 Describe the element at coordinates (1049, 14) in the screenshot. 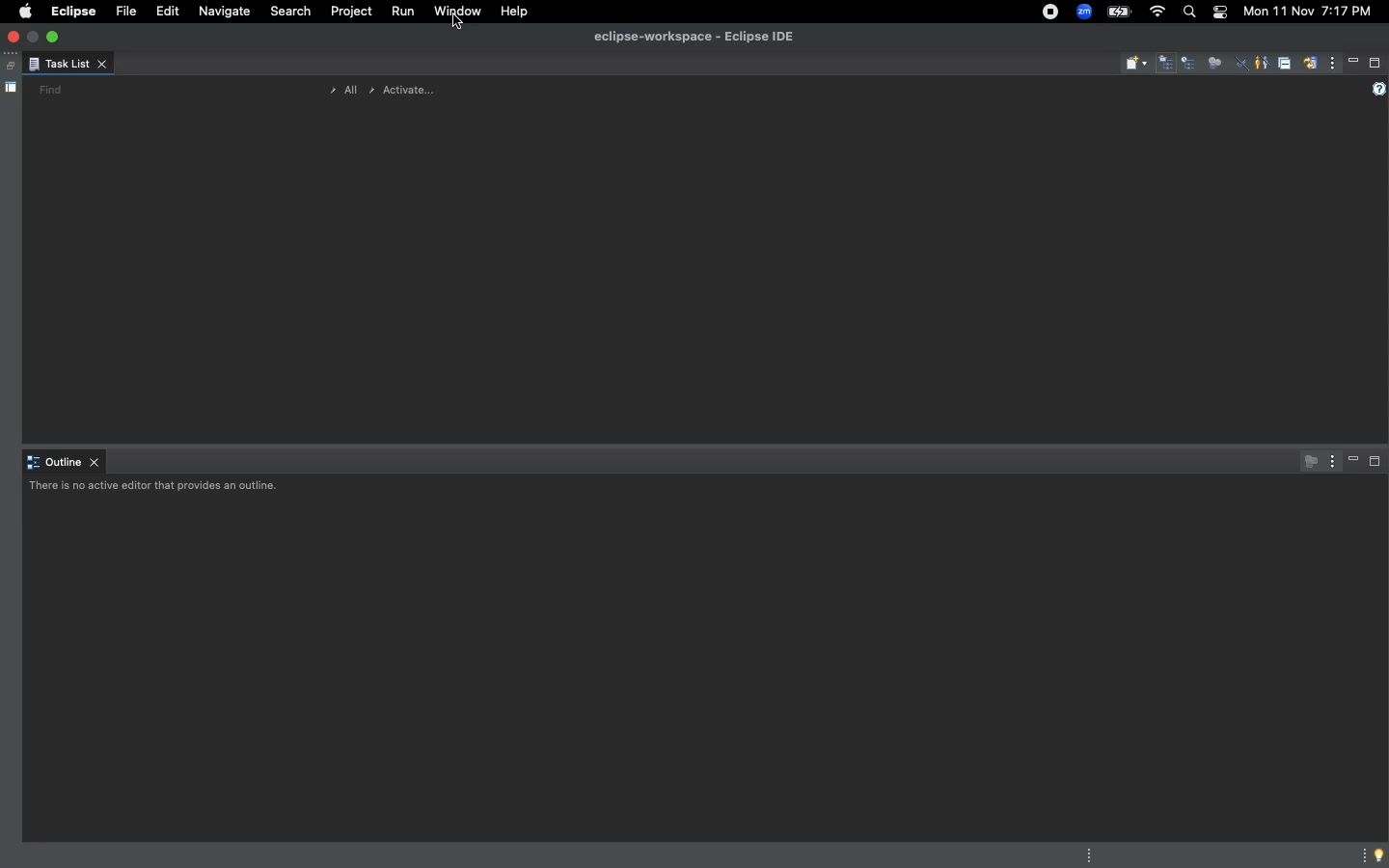

I see `Recording` at that location.